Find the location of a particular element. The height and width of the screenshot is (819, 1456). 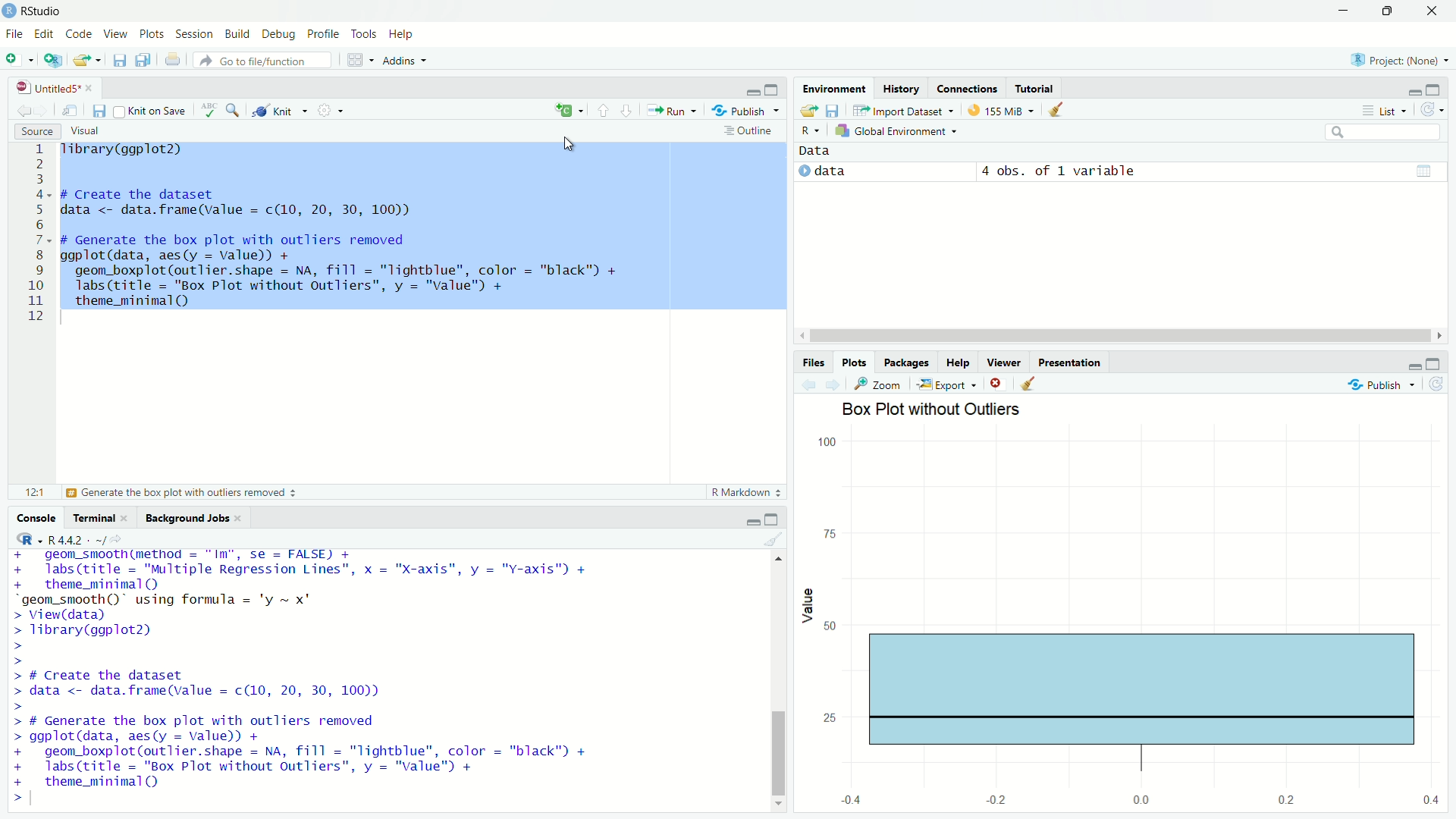

n Build is located at coordinates (237, 35).